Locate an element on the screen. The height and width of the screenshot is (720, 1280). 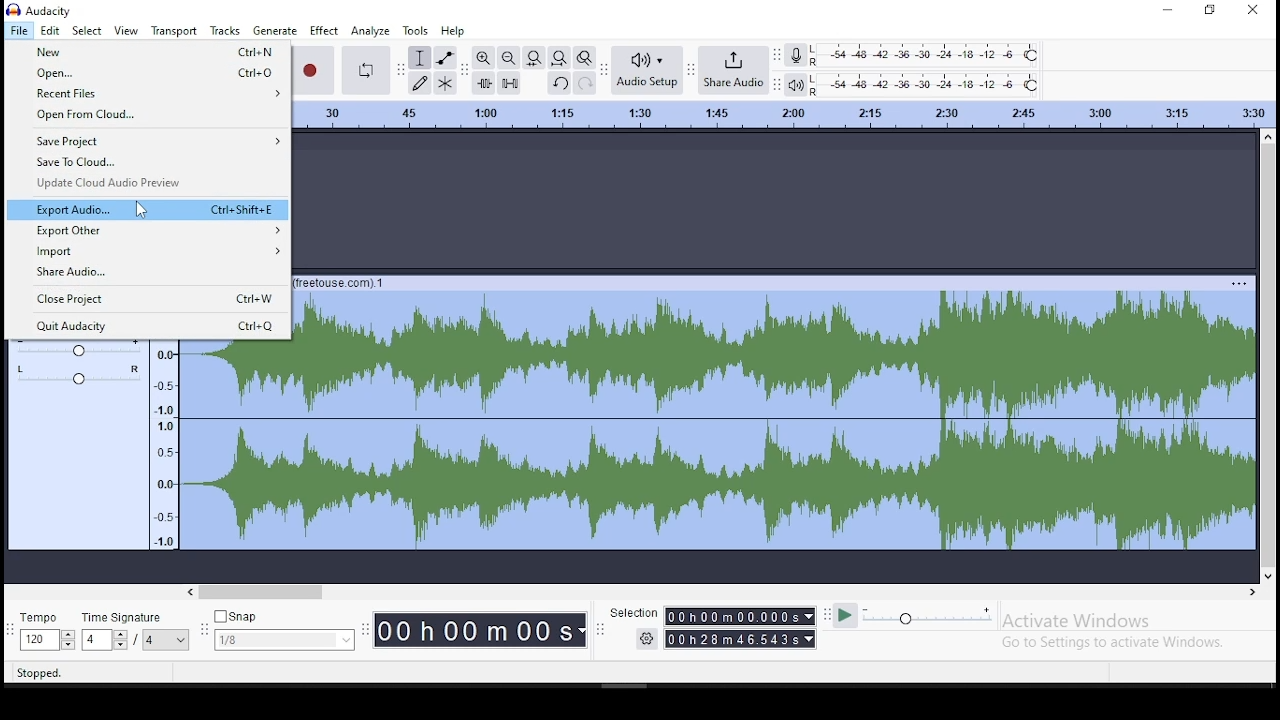
trim audio outside selection is located at coordinates (482, 83).